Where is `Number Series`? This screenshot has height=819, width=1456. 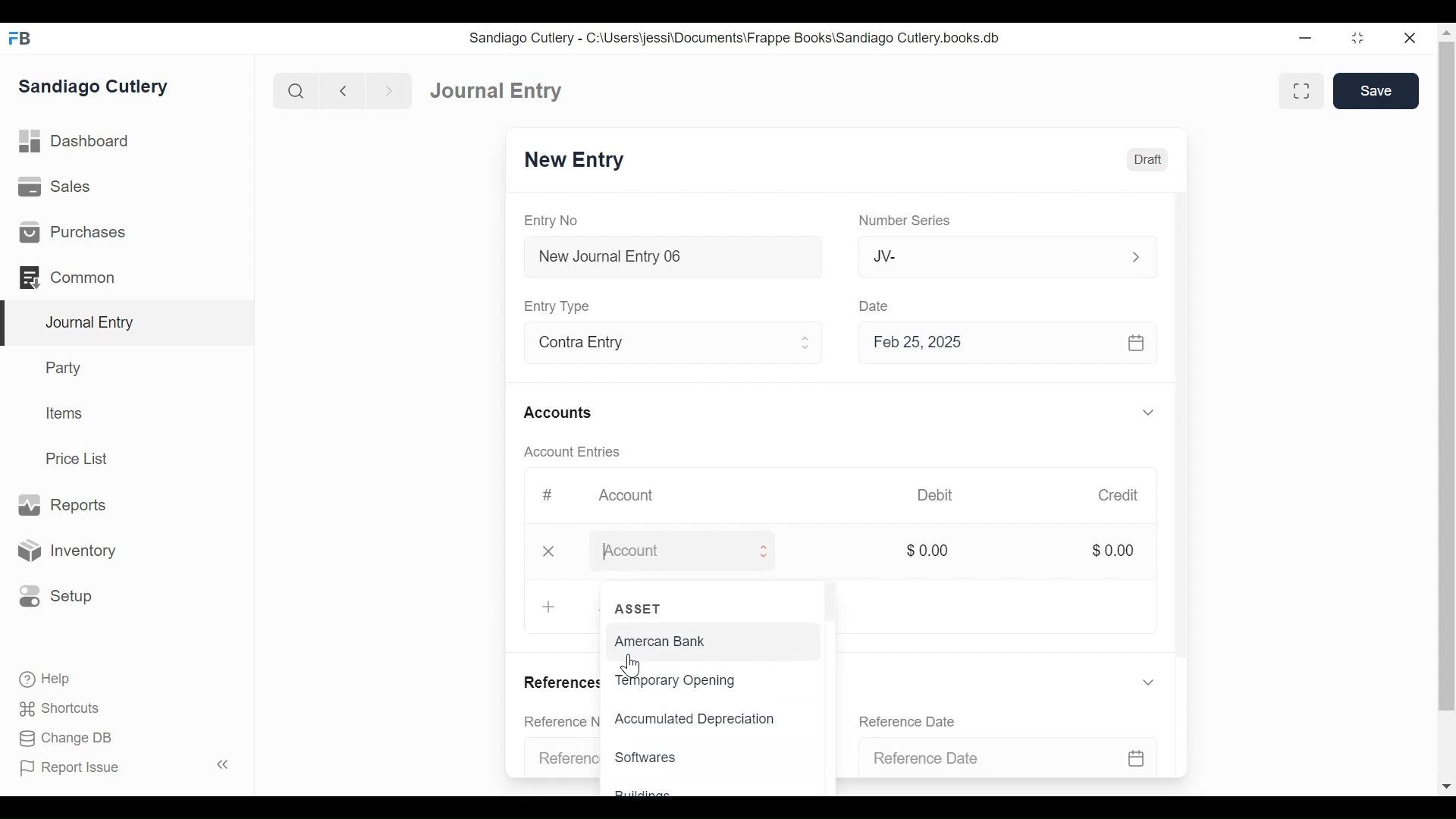
Number Series is located at coordinates (907, 221).